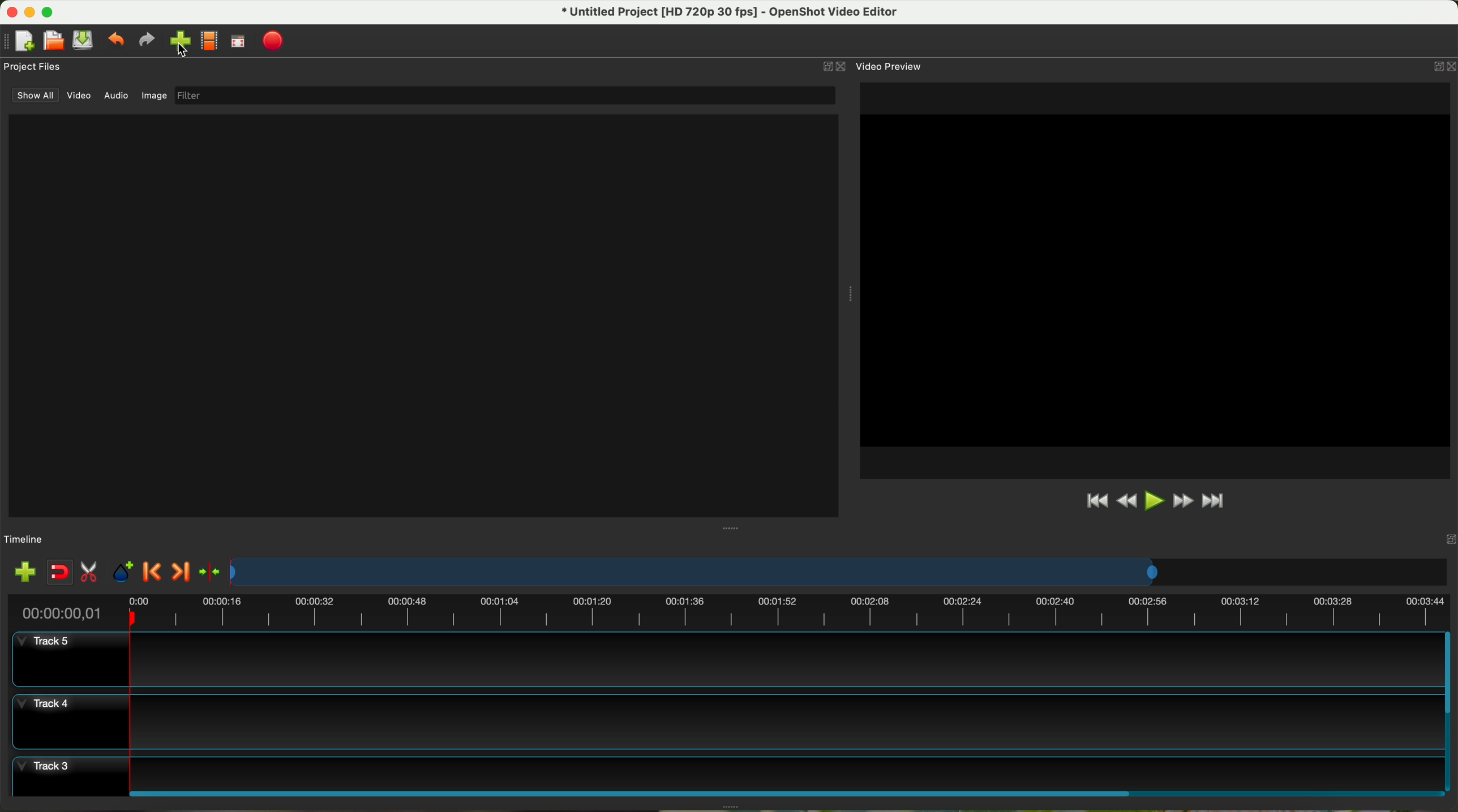 Image resolution: width=1458 pixels, height=812 pixels. I want to click on disable snapping, so click(60, 572).